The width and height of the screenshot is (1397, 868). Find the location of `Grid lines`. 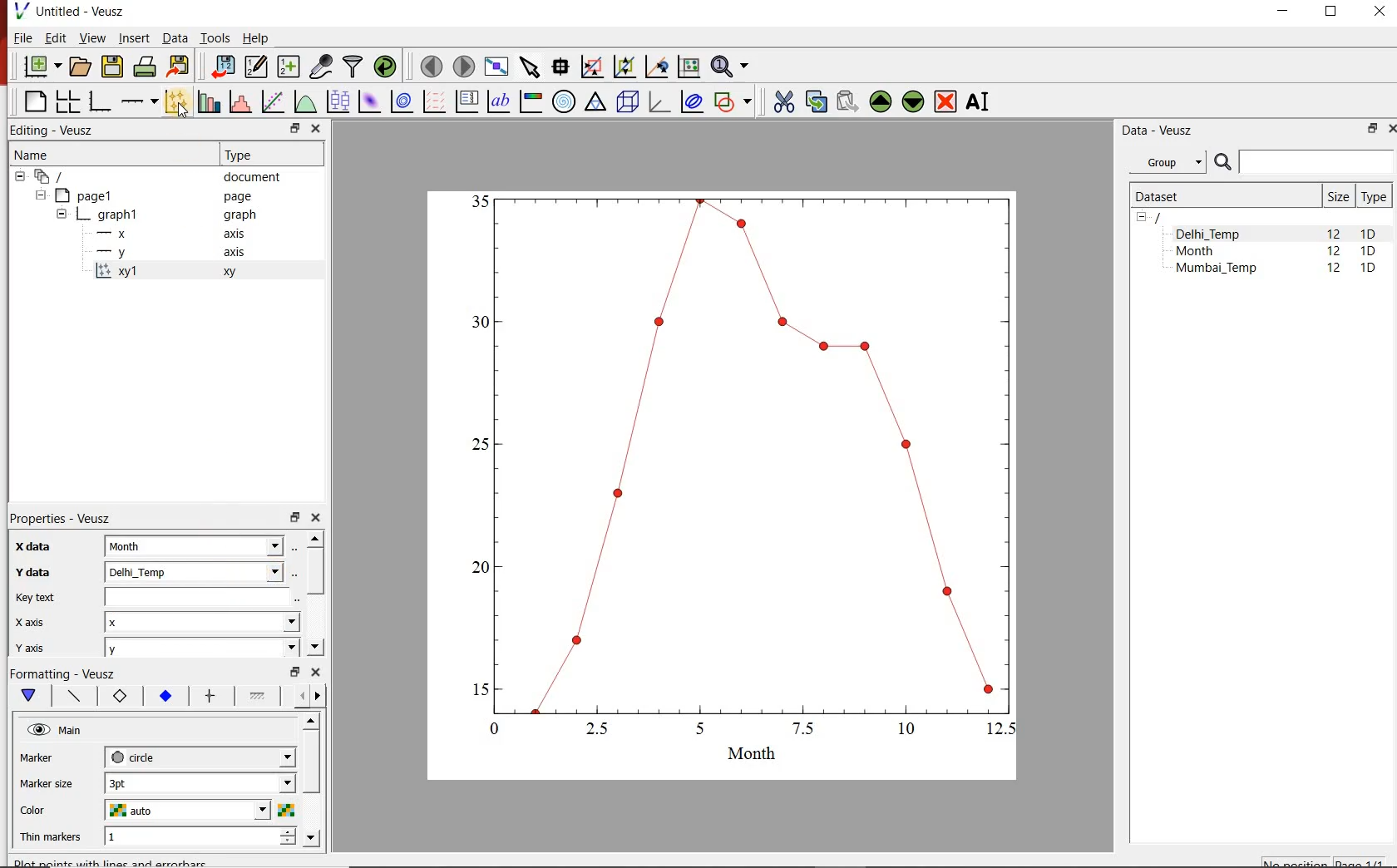

Grid lines is located at coordinates (310, 698).